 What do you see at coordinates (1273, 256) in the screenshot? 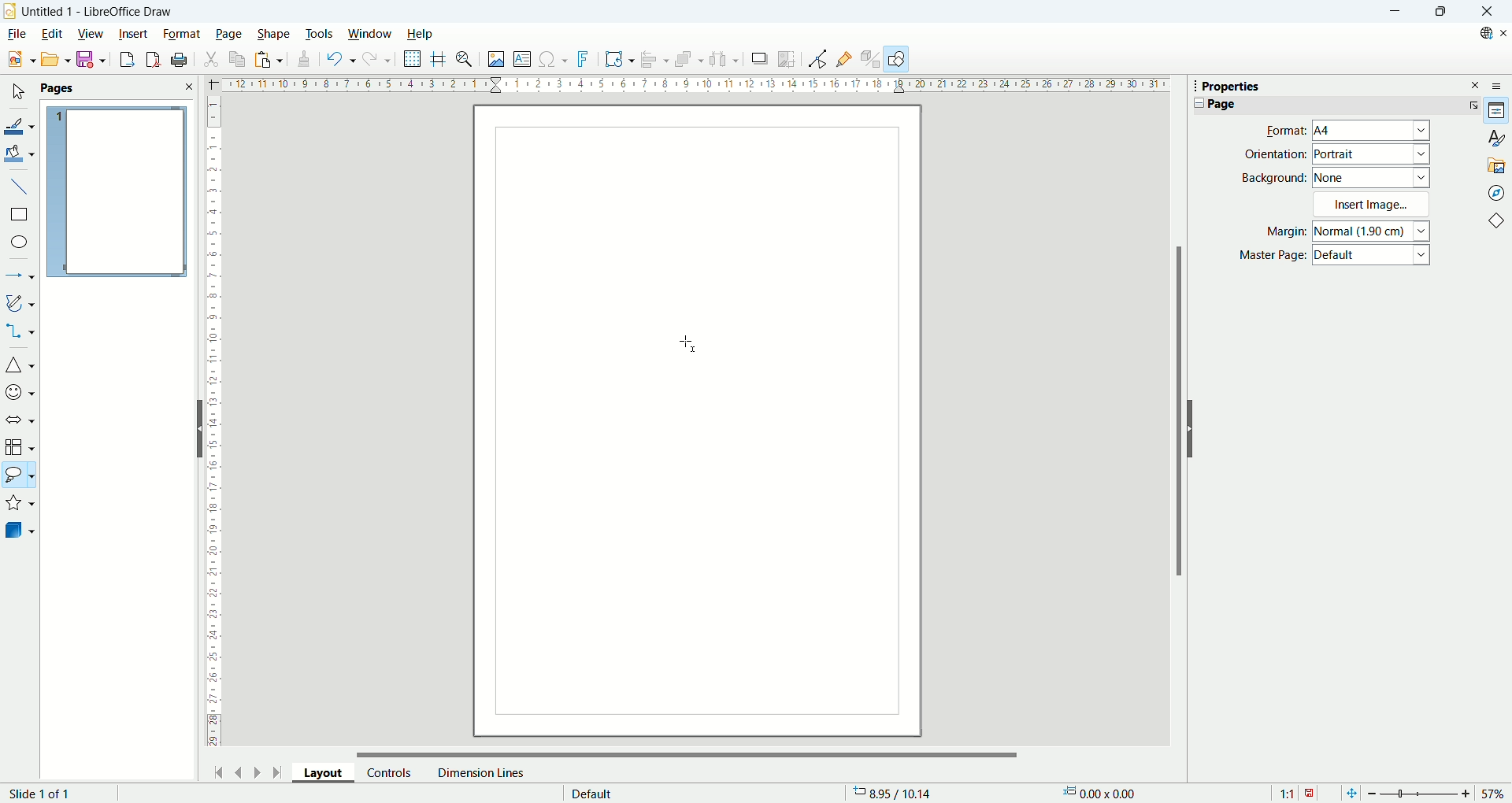
I see `Master Page` at bounding box center [1273, 256].